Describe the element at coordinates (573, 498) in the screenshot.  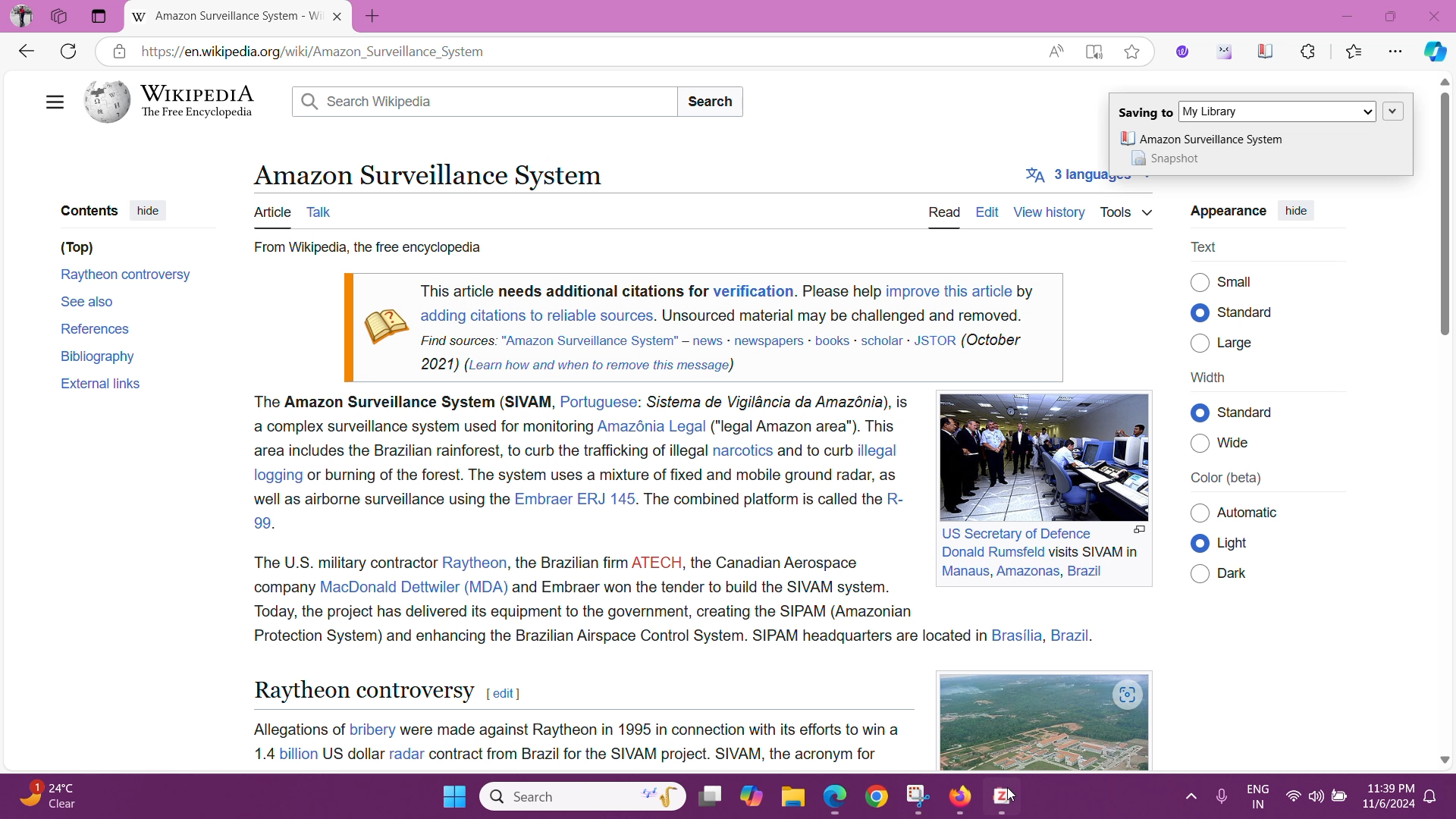
I see `Embraer ERJ 145` at that location.